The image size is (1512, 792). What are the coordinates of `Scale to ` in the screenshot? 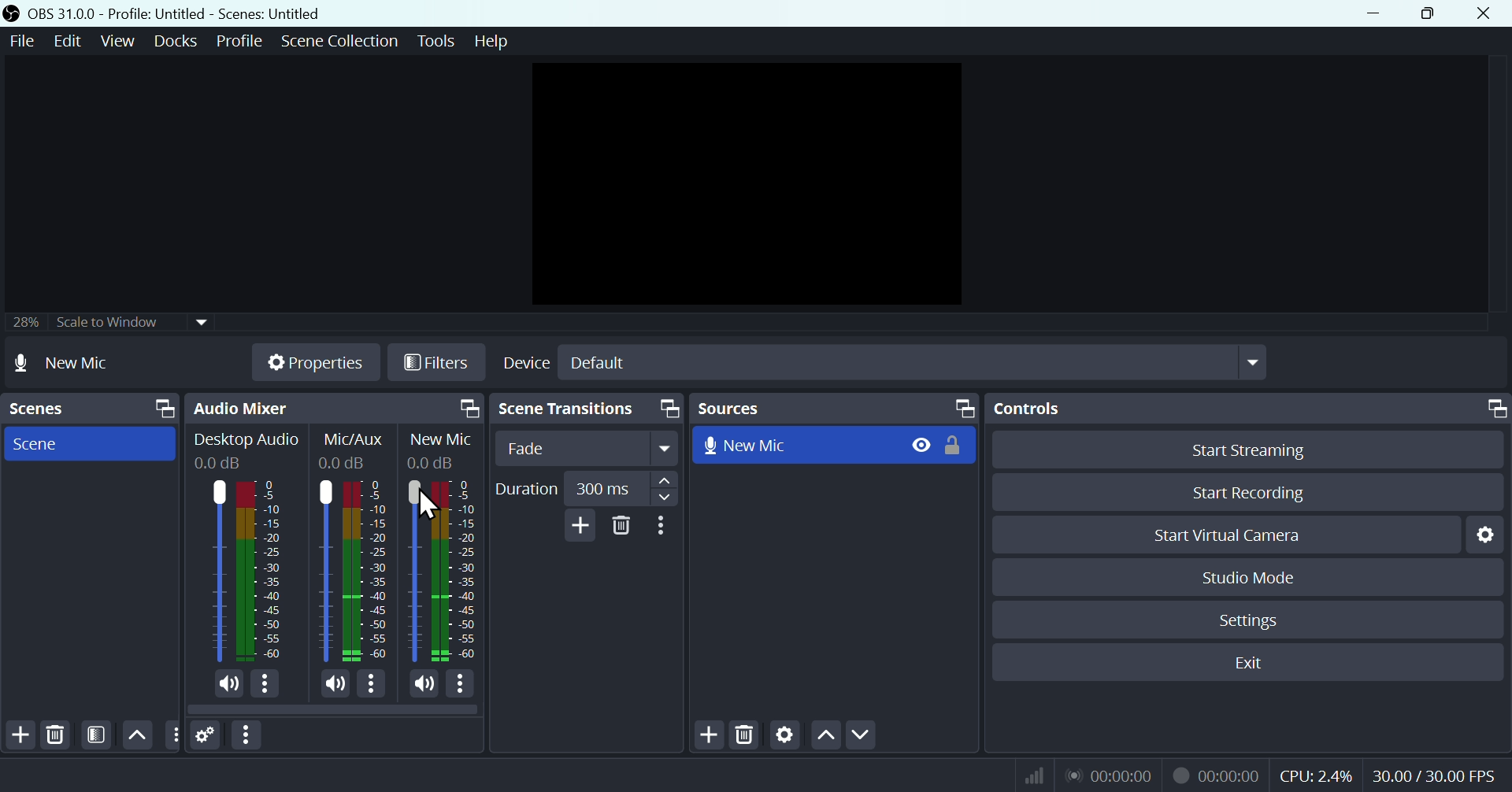 It's located at (103, 324).